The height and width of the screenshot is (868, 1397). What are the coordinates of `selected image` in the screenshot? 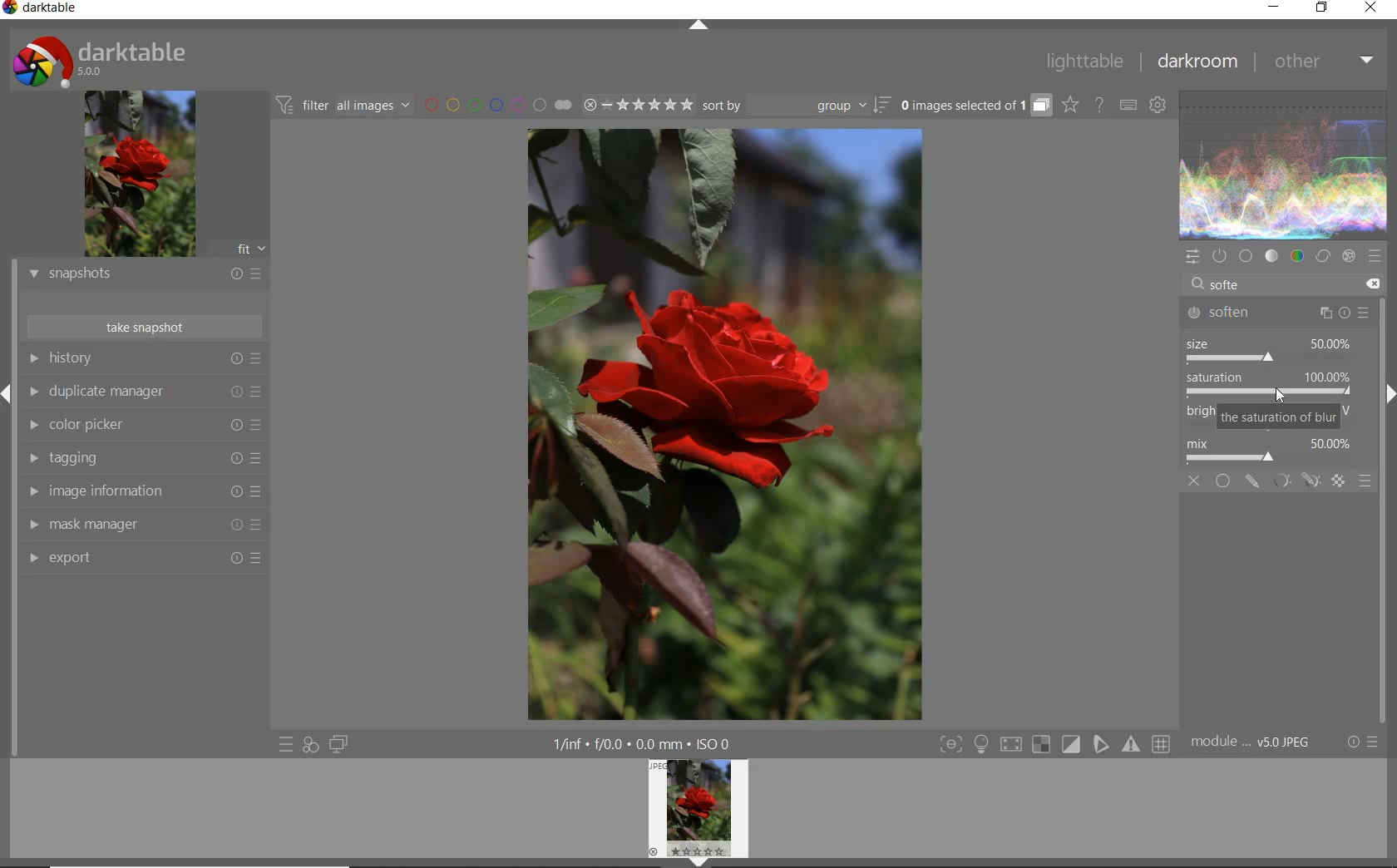 It's located at (723, 423).